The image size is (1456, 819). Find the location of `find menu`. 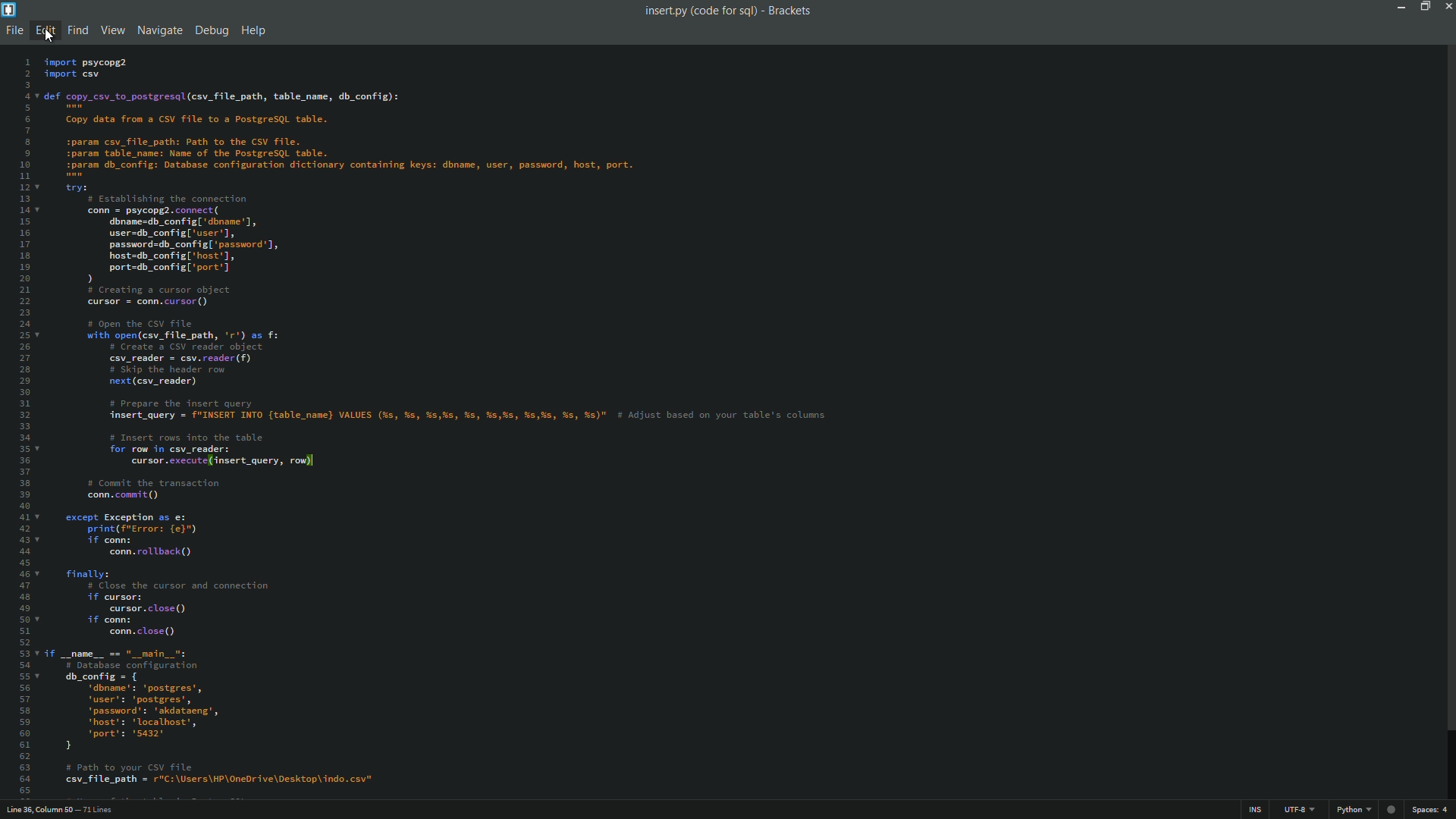

find menu is located at coordinates (76, 29).